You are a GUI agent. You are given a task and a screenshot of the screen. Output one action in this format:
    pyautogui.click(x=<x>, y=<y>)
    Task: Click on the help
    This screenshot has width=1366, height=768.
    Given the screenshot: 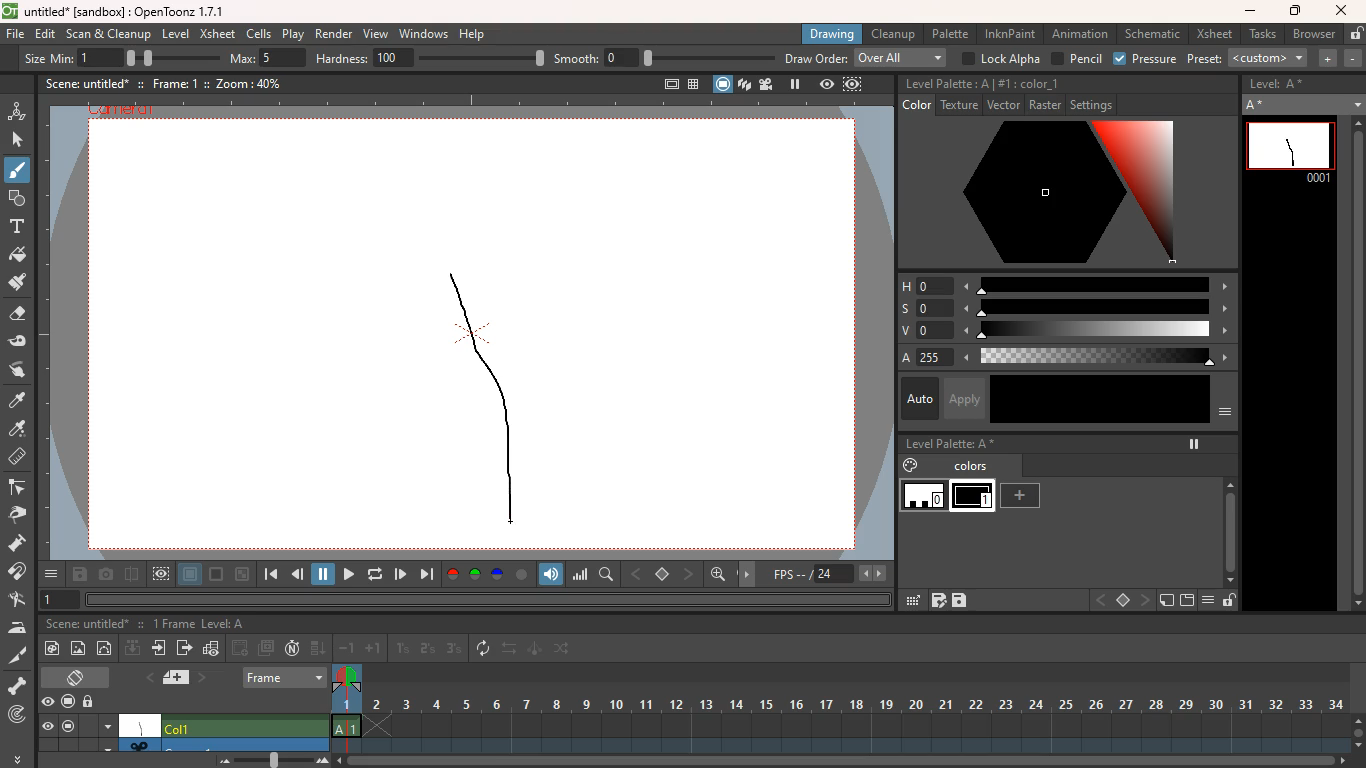 What is the action you would take?
    pyautogui.click(x=474, y=35)
    